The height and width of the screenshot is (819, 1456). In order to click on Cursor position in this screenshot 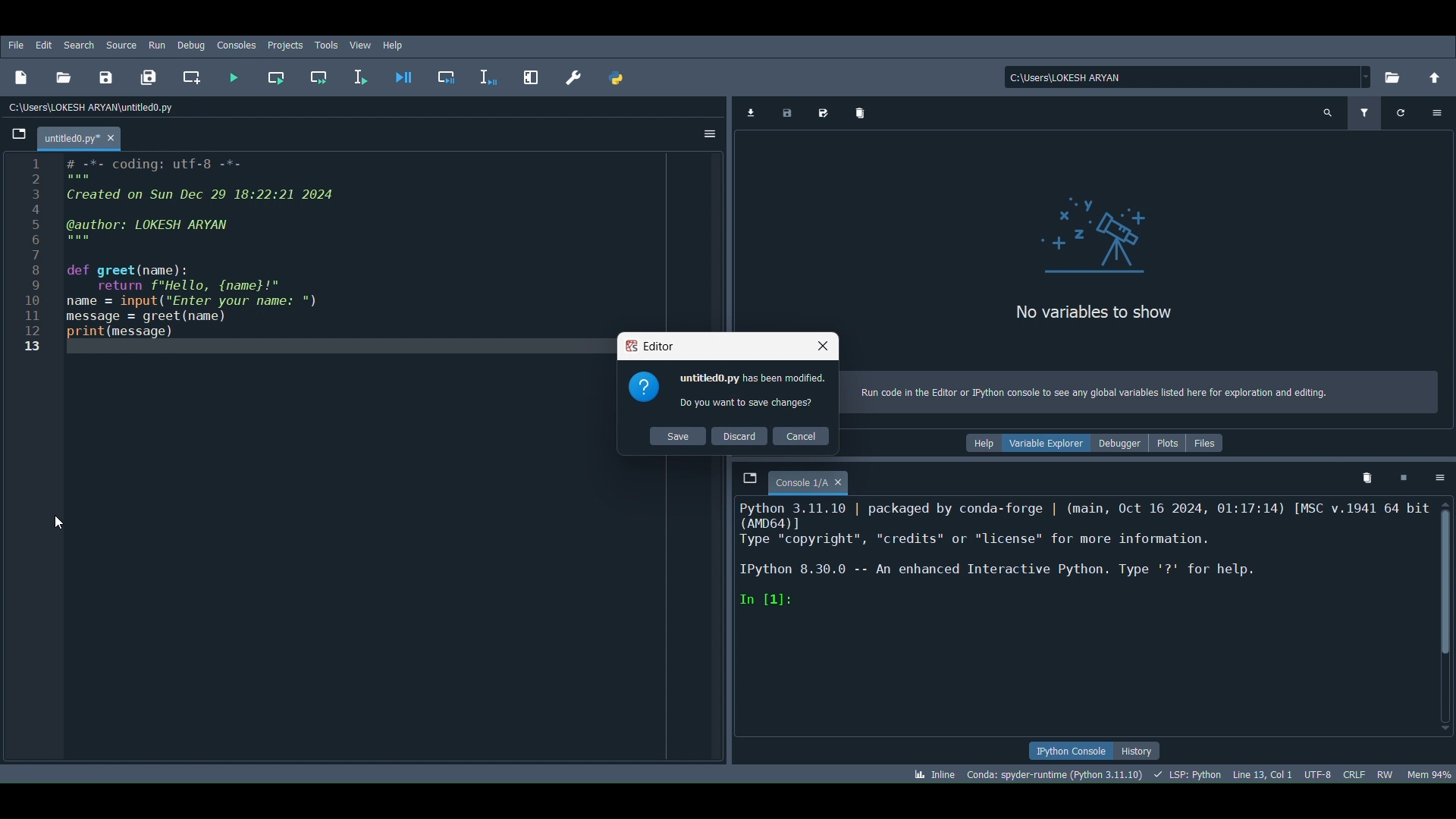, I will do `click(1264, 774)`.